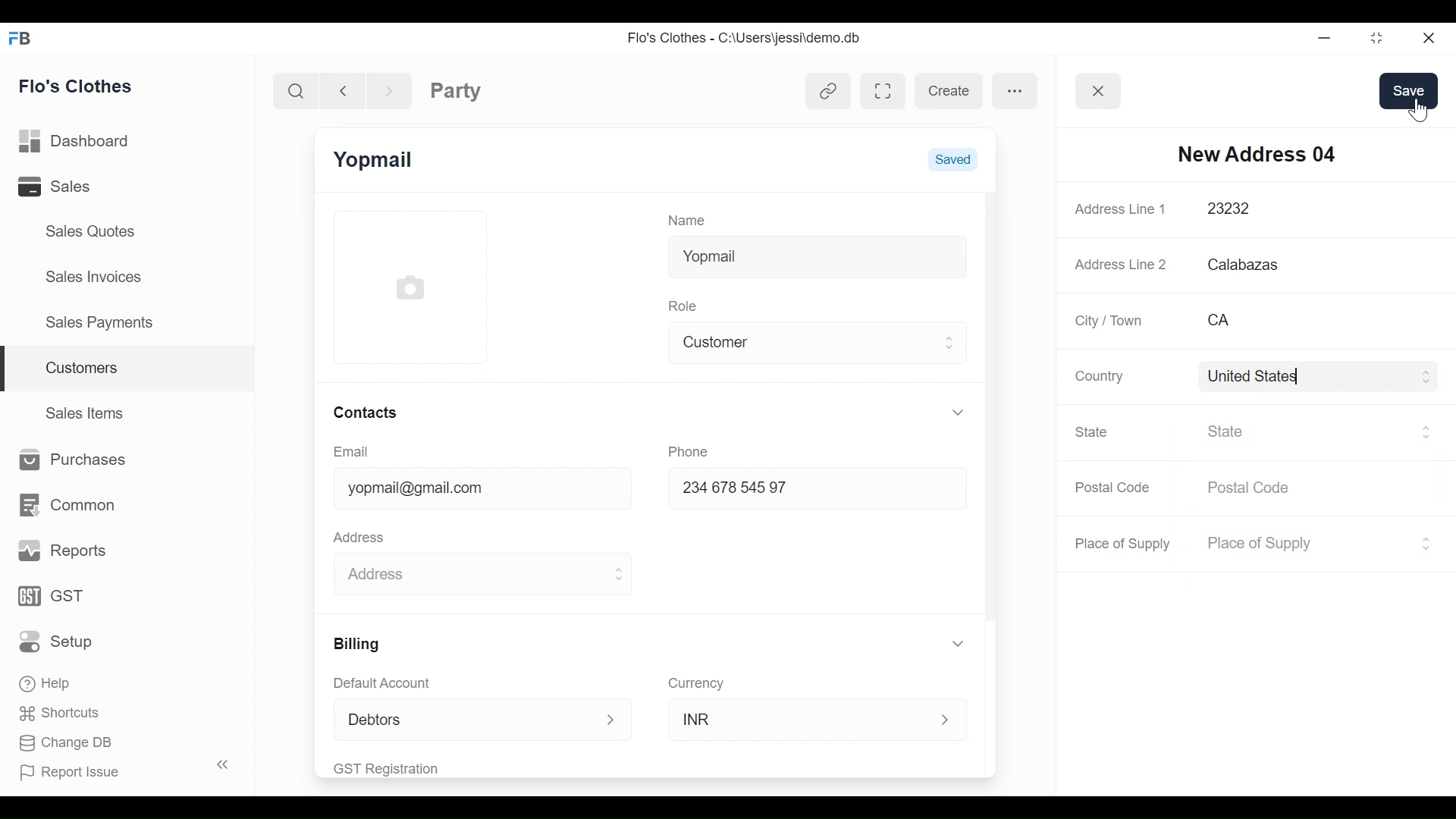 The width and height of the screenshot is (1456, 819). Describe the element at coordinates (883, 91) in the screenshot. I see `Toggle between form and full width view` at that location.